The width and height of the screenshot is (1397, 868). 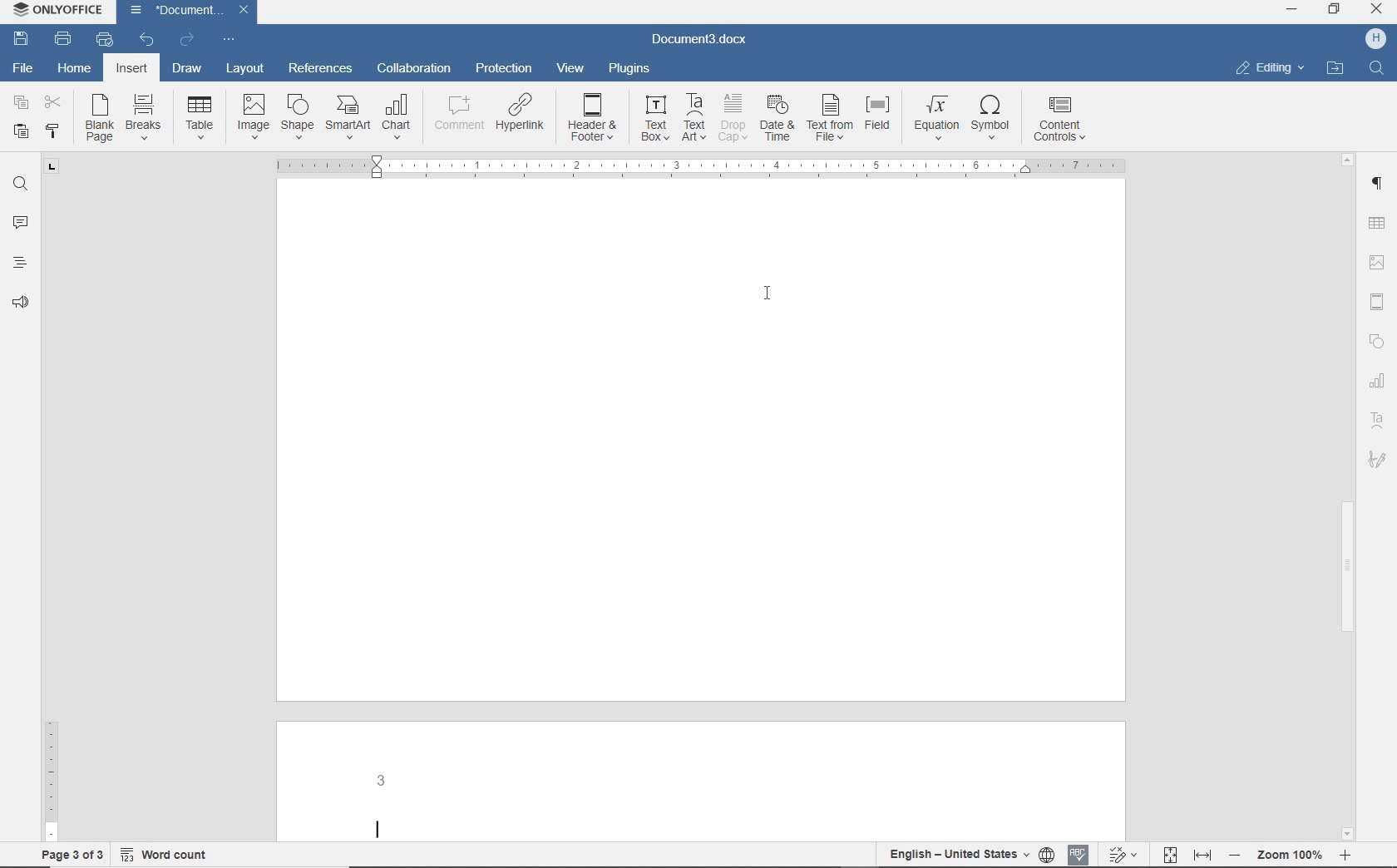 I want to click on DATE & TIME, so click(x=777, y=119).